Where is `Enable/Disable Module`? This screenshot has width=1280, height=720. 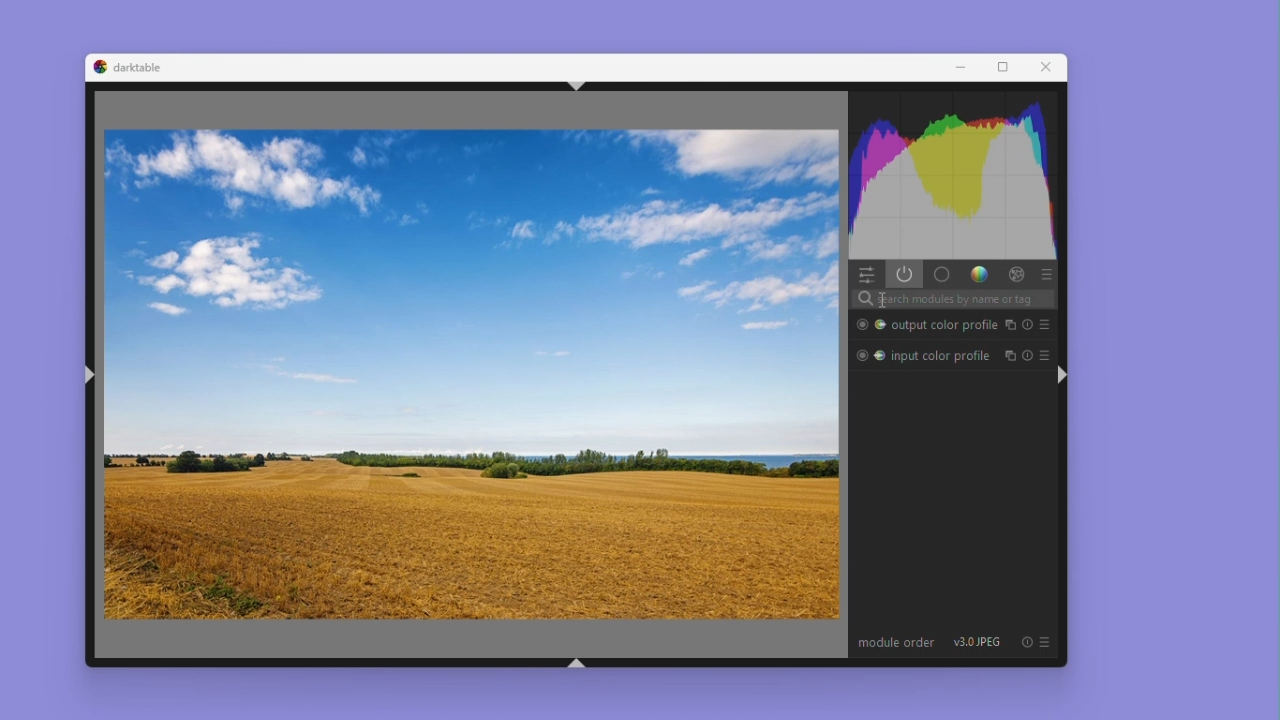 Enable/Disable Module is located at coordinates (861, 325).